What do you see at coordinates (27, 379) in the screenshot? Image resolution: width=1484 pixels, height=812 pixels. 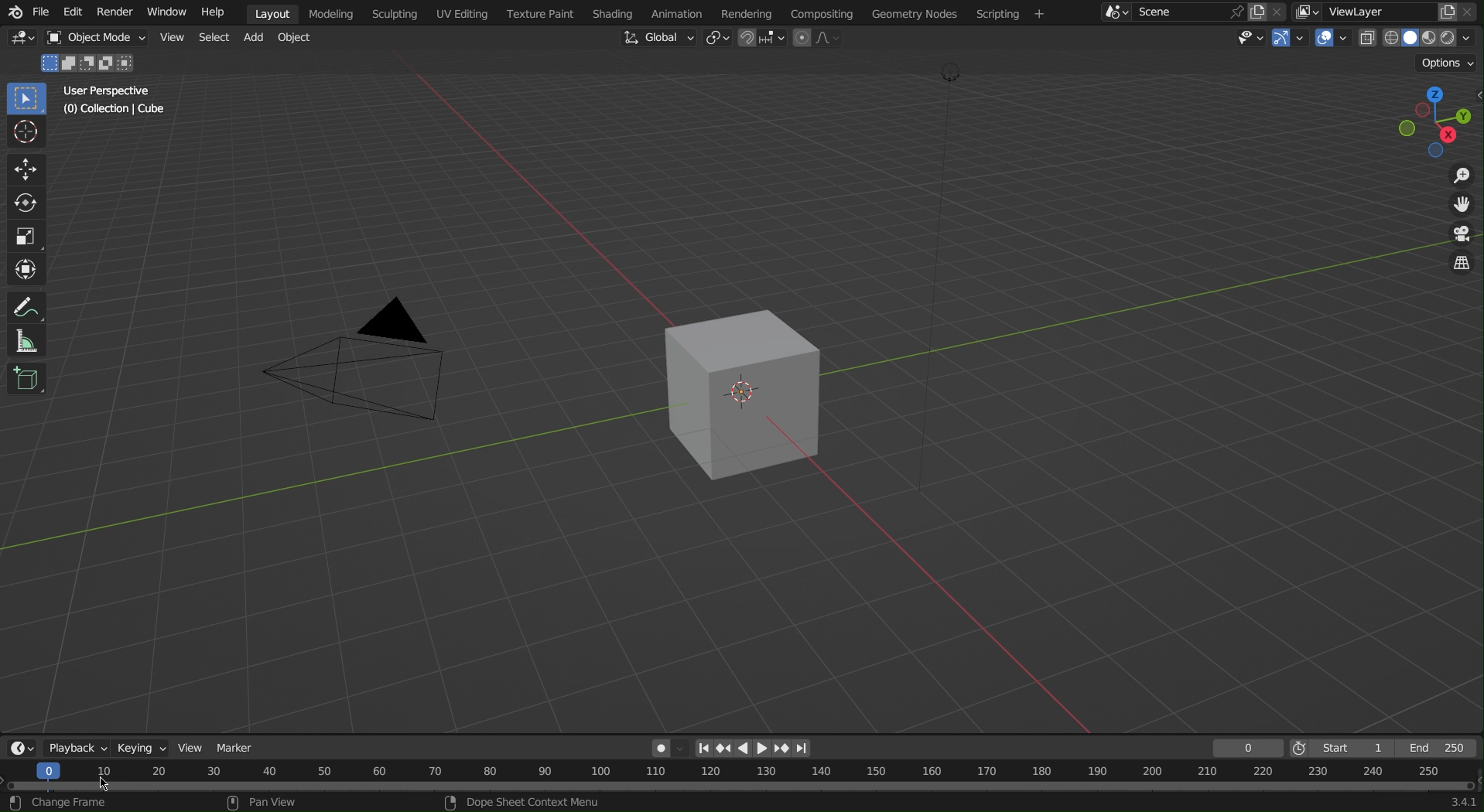 I see `Add Cube` at bounding box center [27, 379].